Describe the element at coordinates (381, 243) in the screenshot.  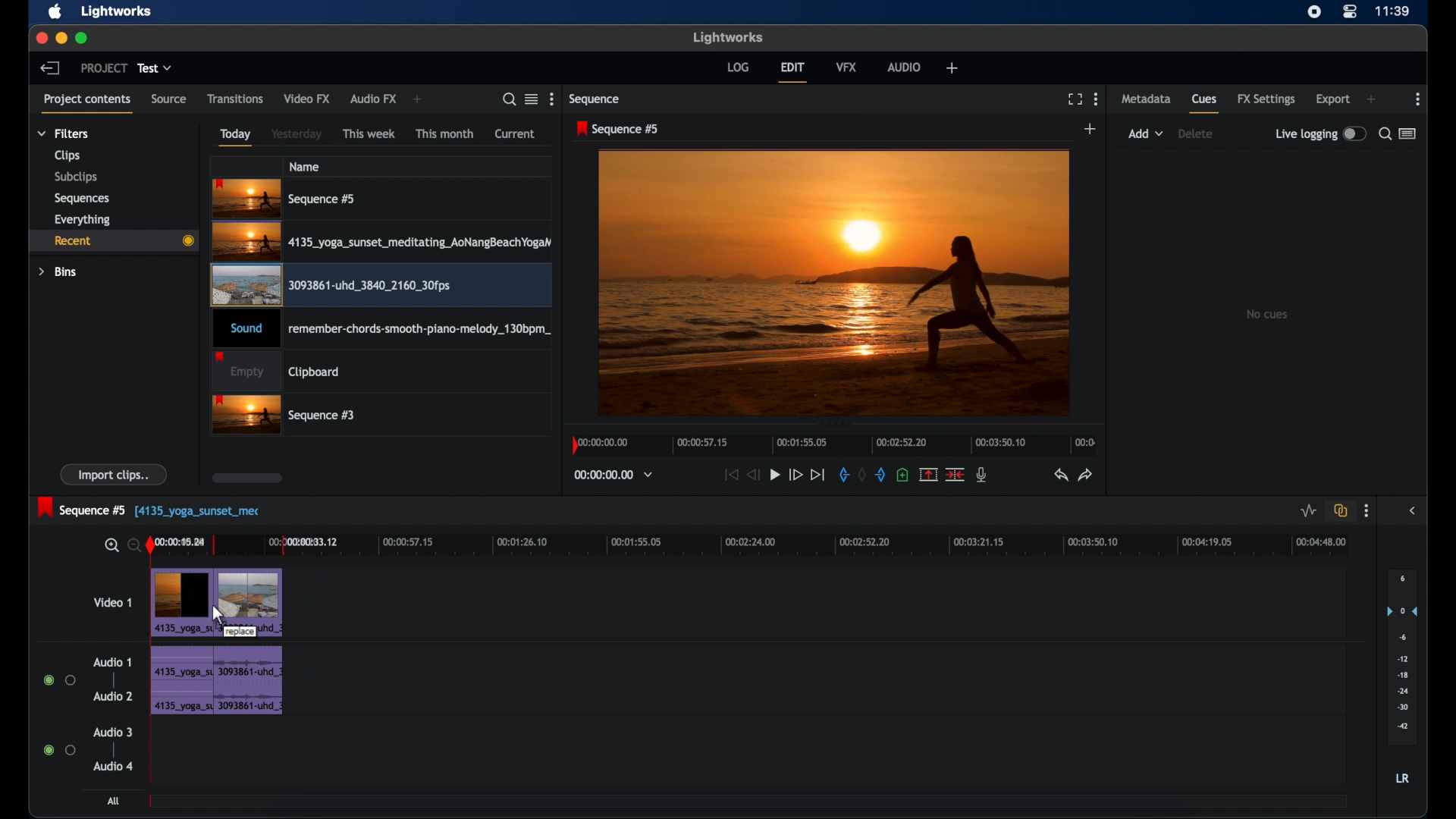
I see `video clip` at that location.